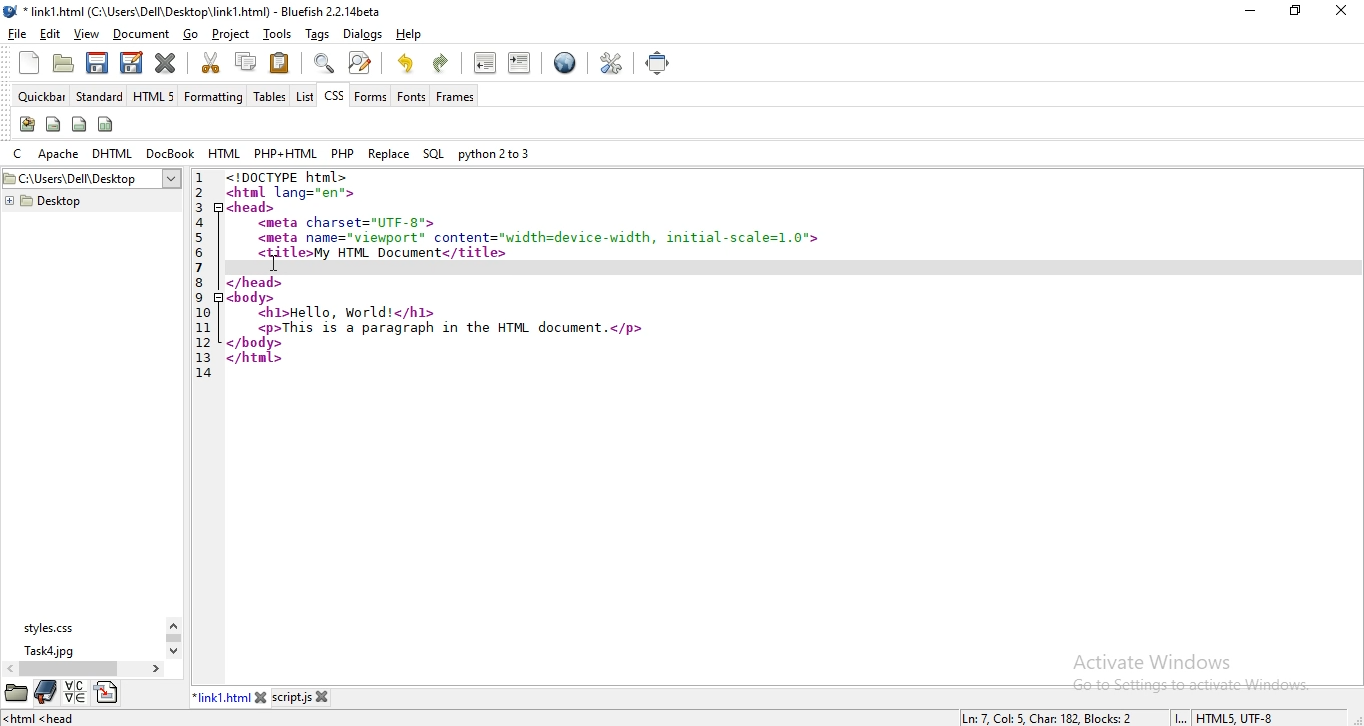 Image resolution: width=1364 pixels, height=726 pixels. What do you see at coordinates (1179, 718) in the screenshot?
I see `INS` at bounding box center [1179, 718].